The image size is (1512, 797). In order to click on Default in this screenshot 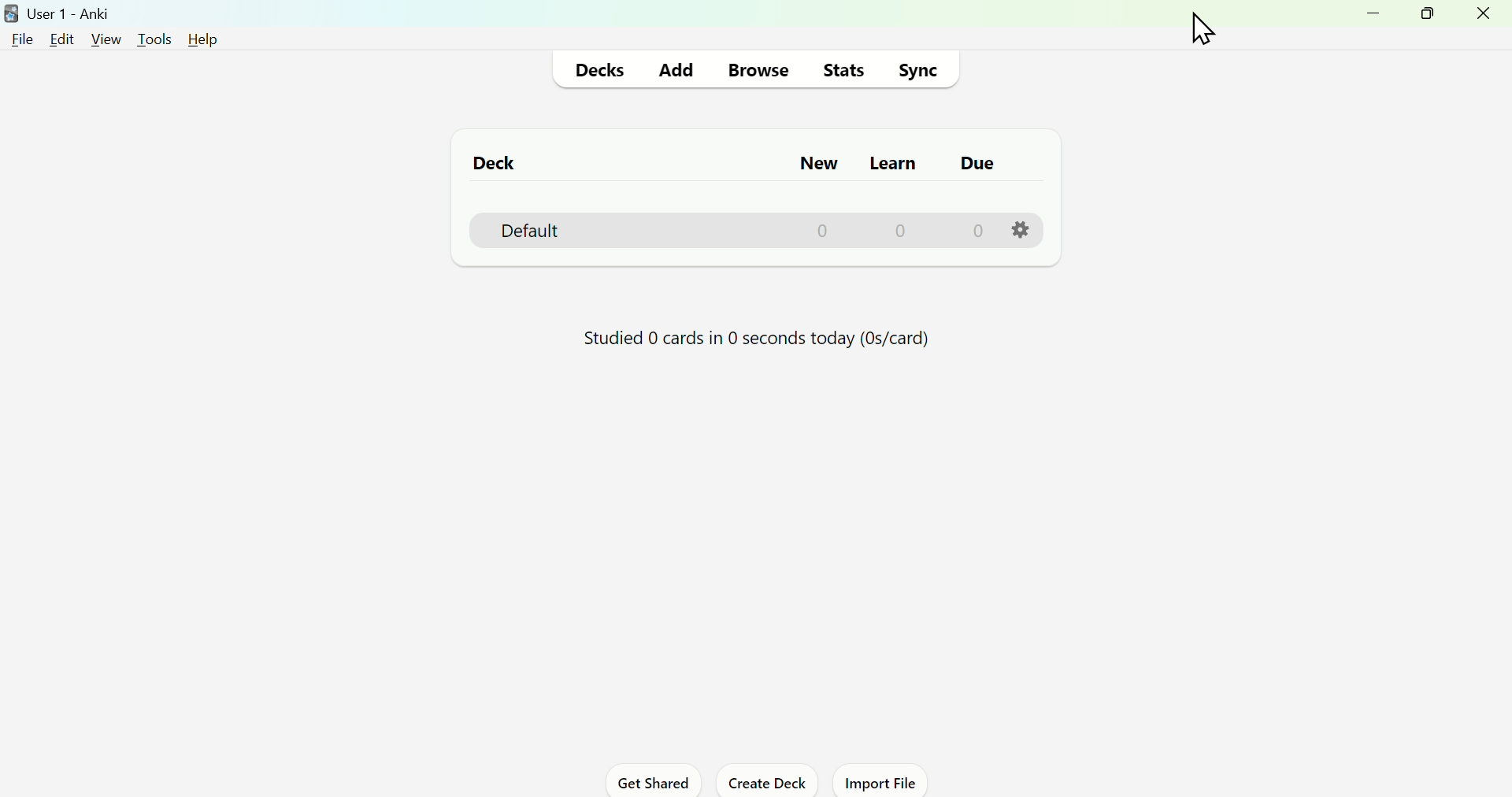, I will do `click(521, 229)`.